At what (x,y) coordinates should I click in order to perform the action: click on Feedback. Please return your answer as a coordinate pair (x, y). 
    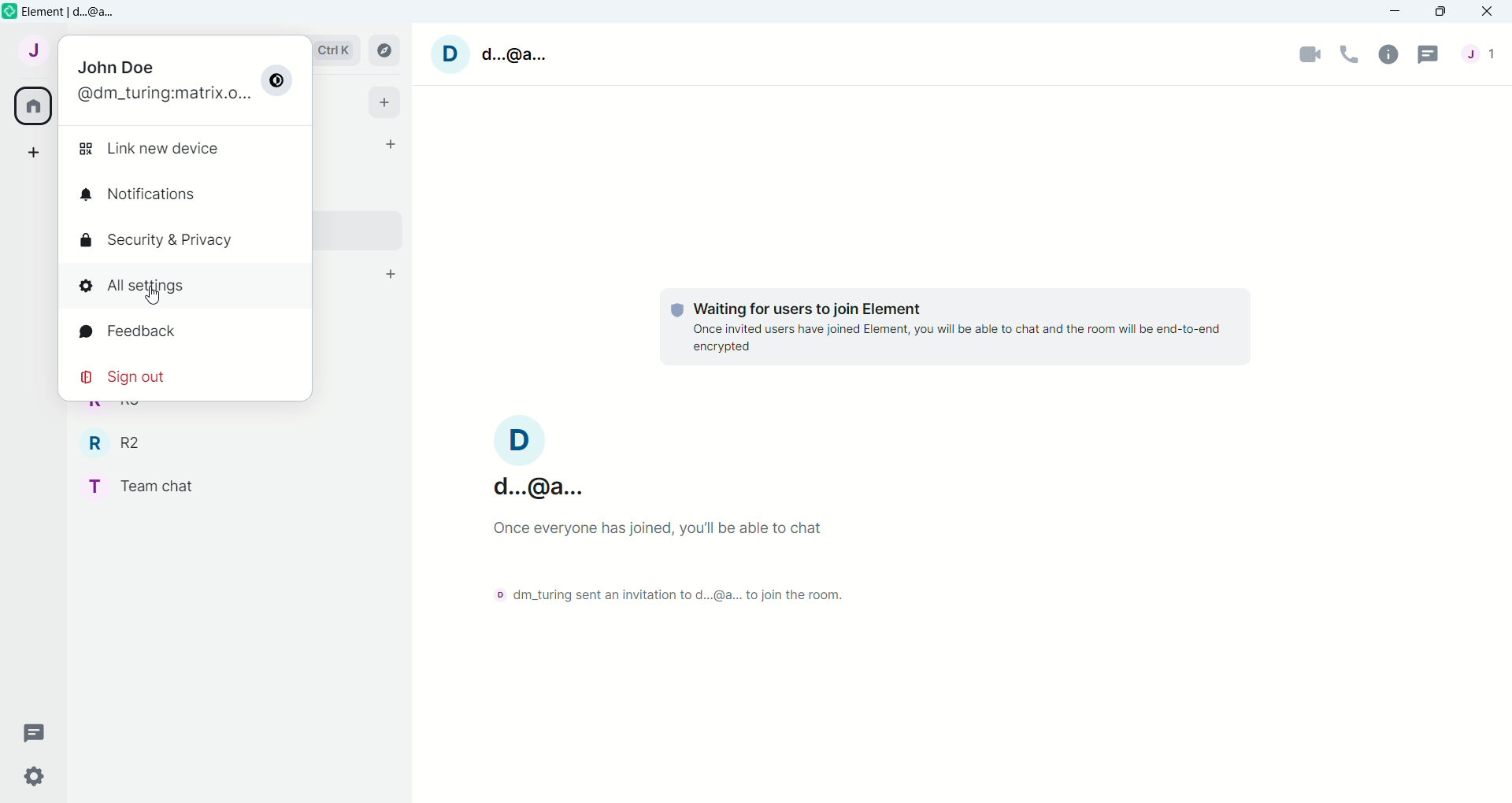
    Looking at the image, I should click on (128, 331).